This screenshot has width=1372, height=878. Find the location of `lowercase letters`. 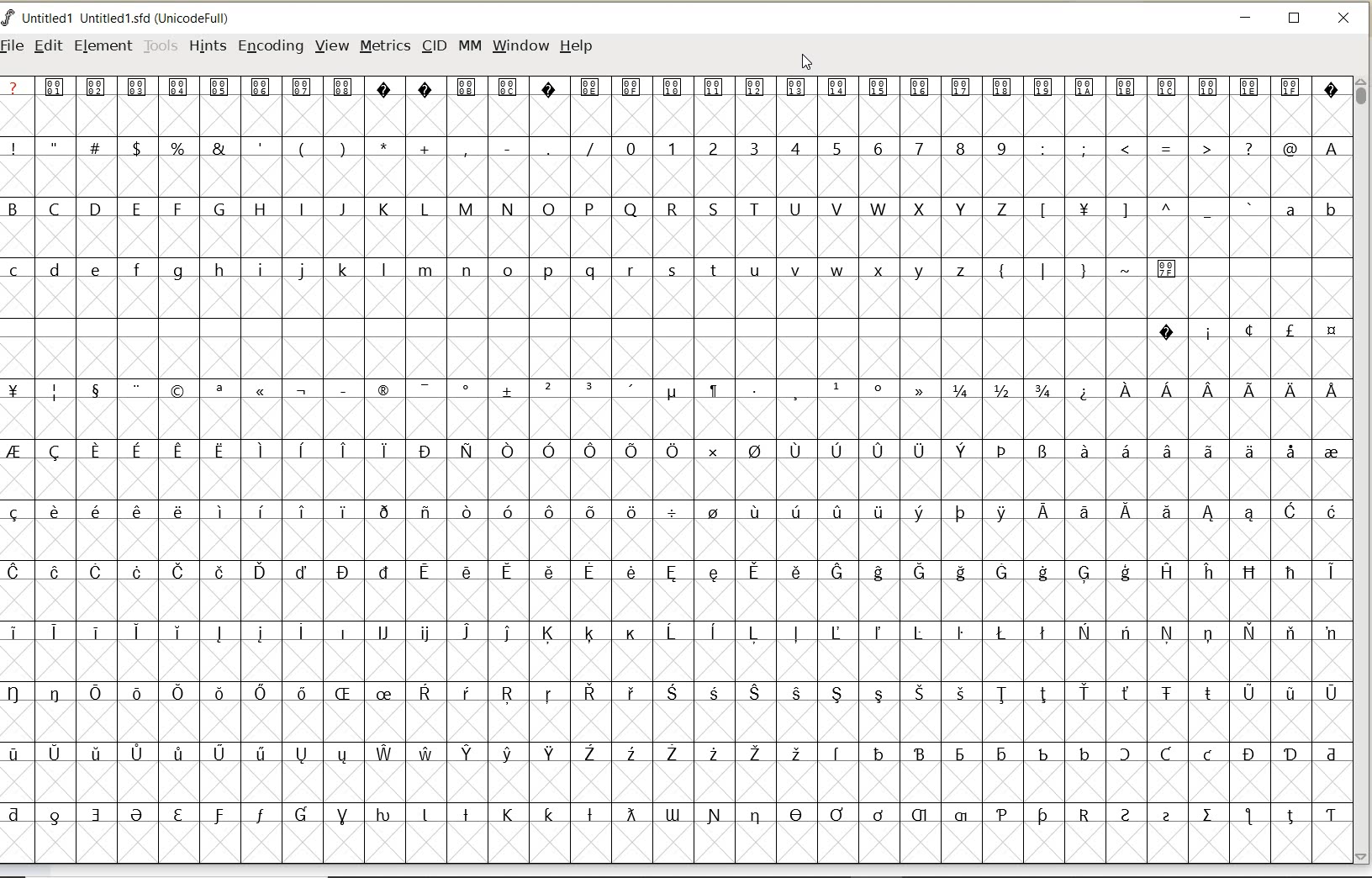

lowercase letters is located at coordinates (491, 273).